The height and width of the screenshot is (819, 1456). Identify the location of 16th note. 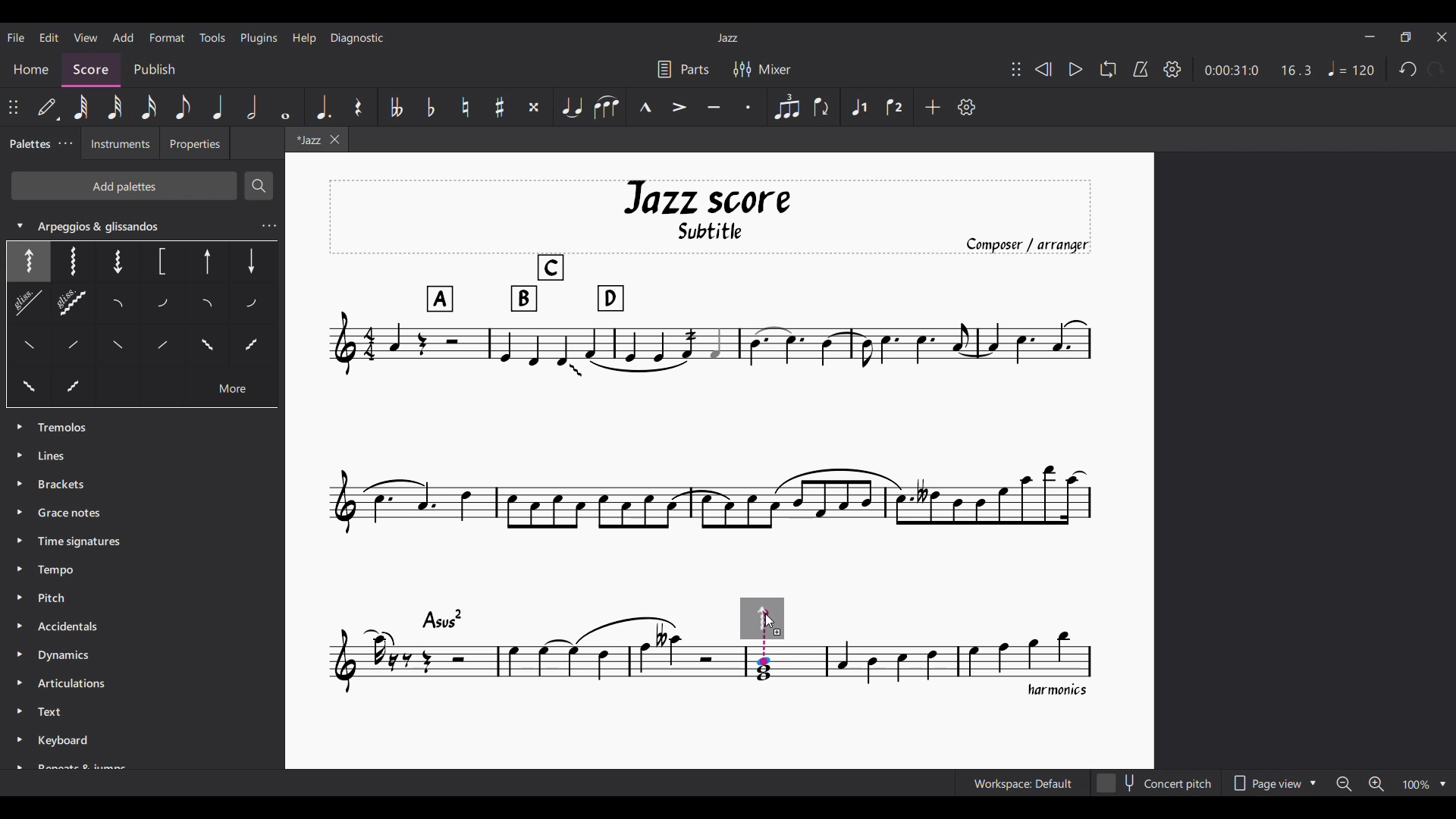
(148, 107).